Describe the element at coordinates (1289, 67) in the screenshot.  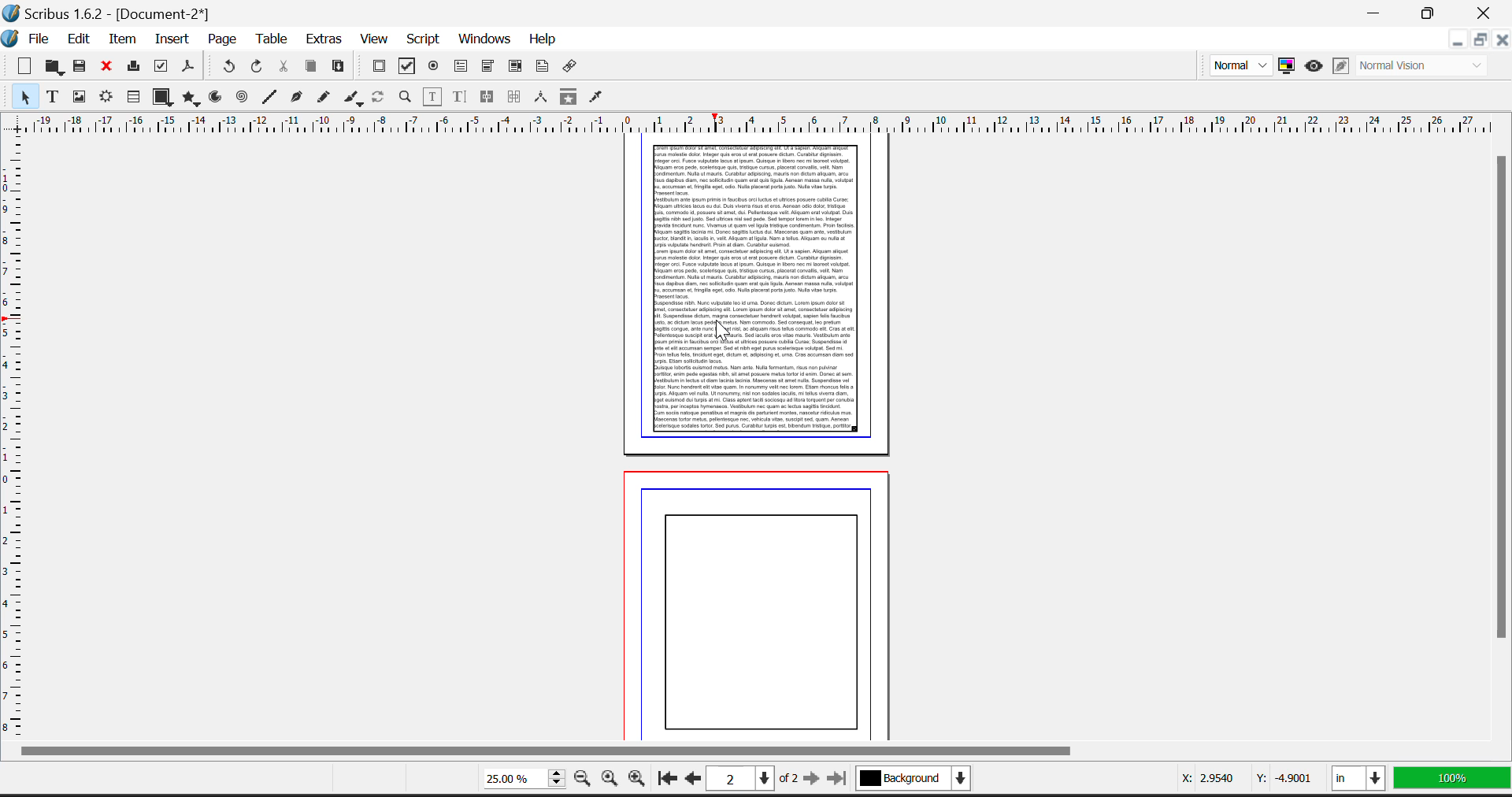
I see `Toggle Color Management` at that location.